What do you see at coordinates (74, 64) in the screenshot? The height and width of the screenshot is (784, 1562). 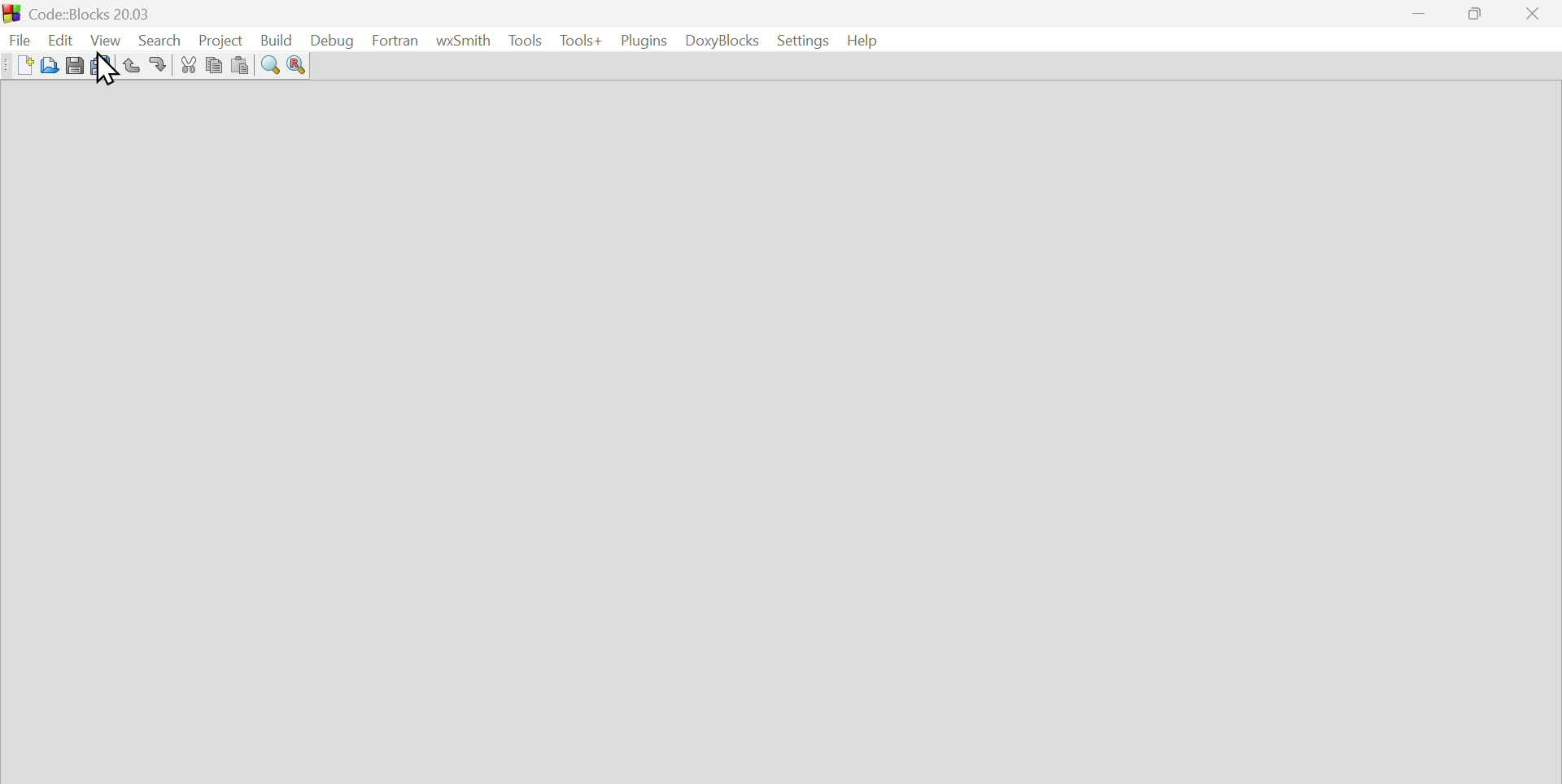 I see `Save file` at bounding box center [74, 64].